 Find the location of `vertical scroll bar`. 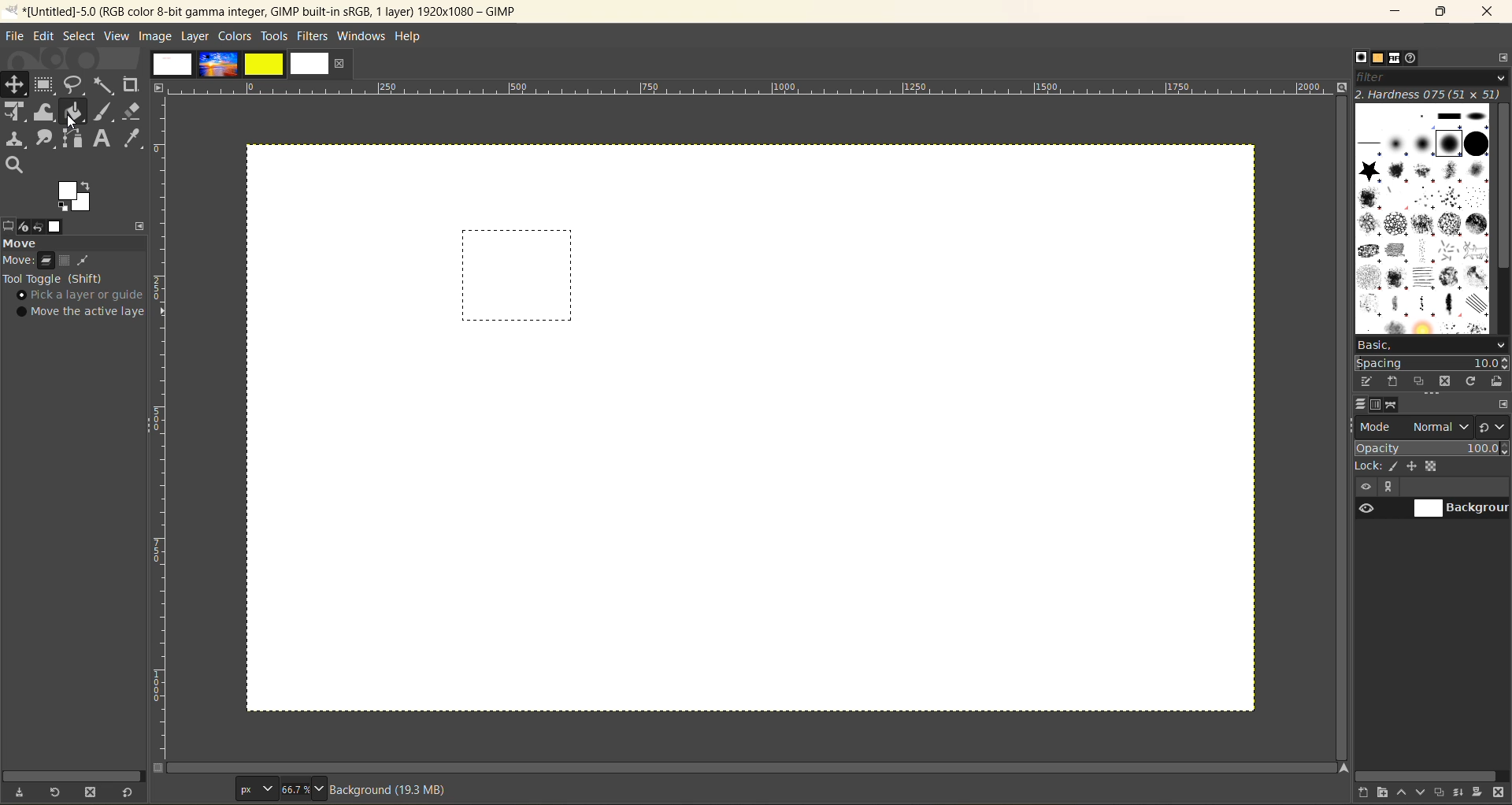

vertical scroll bar is located at coordinates (1336, 402).